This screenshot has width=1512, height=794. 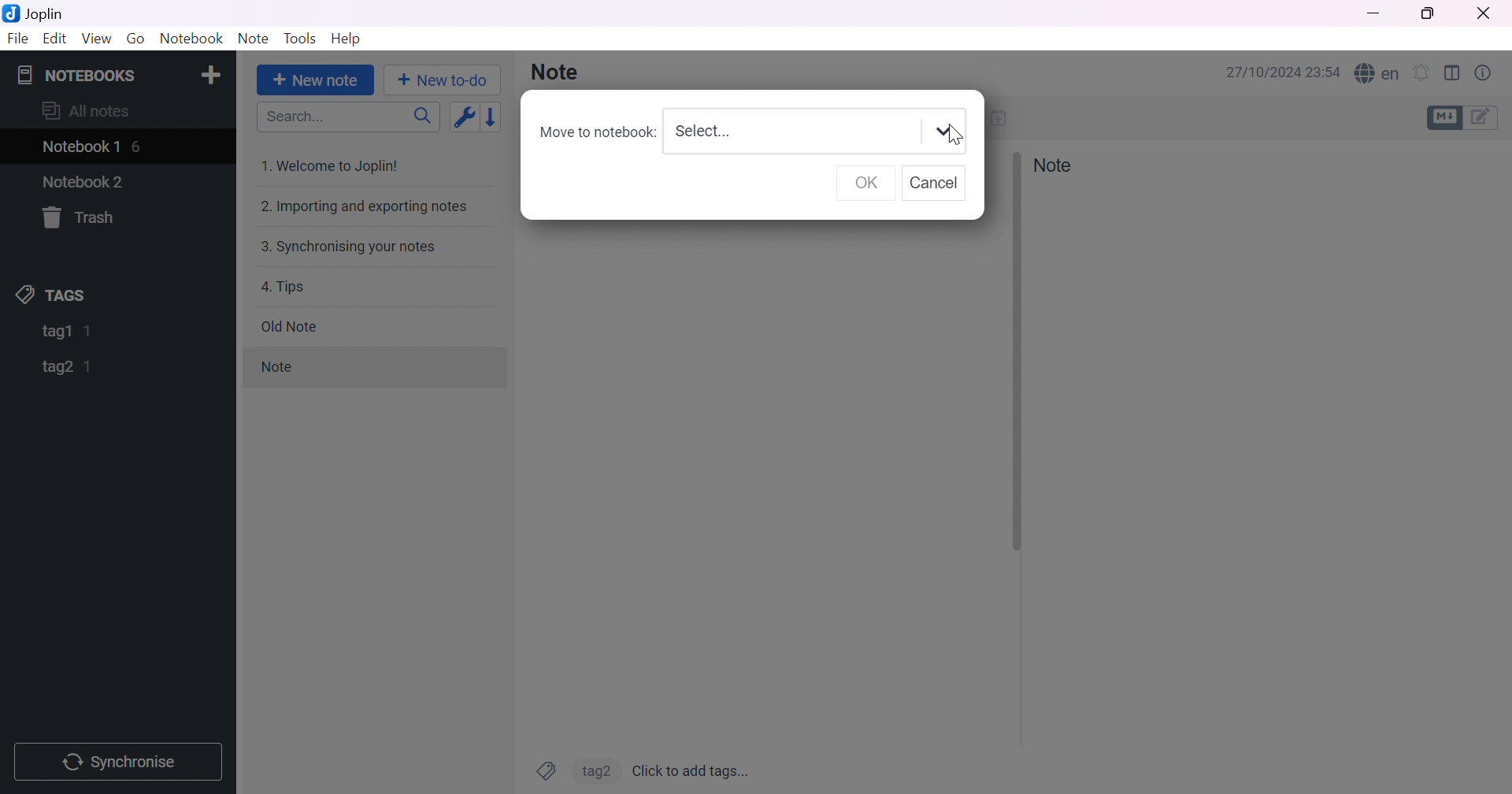 What do you see at coordinates (1053, 165) in the screenshot?
I see `Note` at bounding box center [1053, 165].